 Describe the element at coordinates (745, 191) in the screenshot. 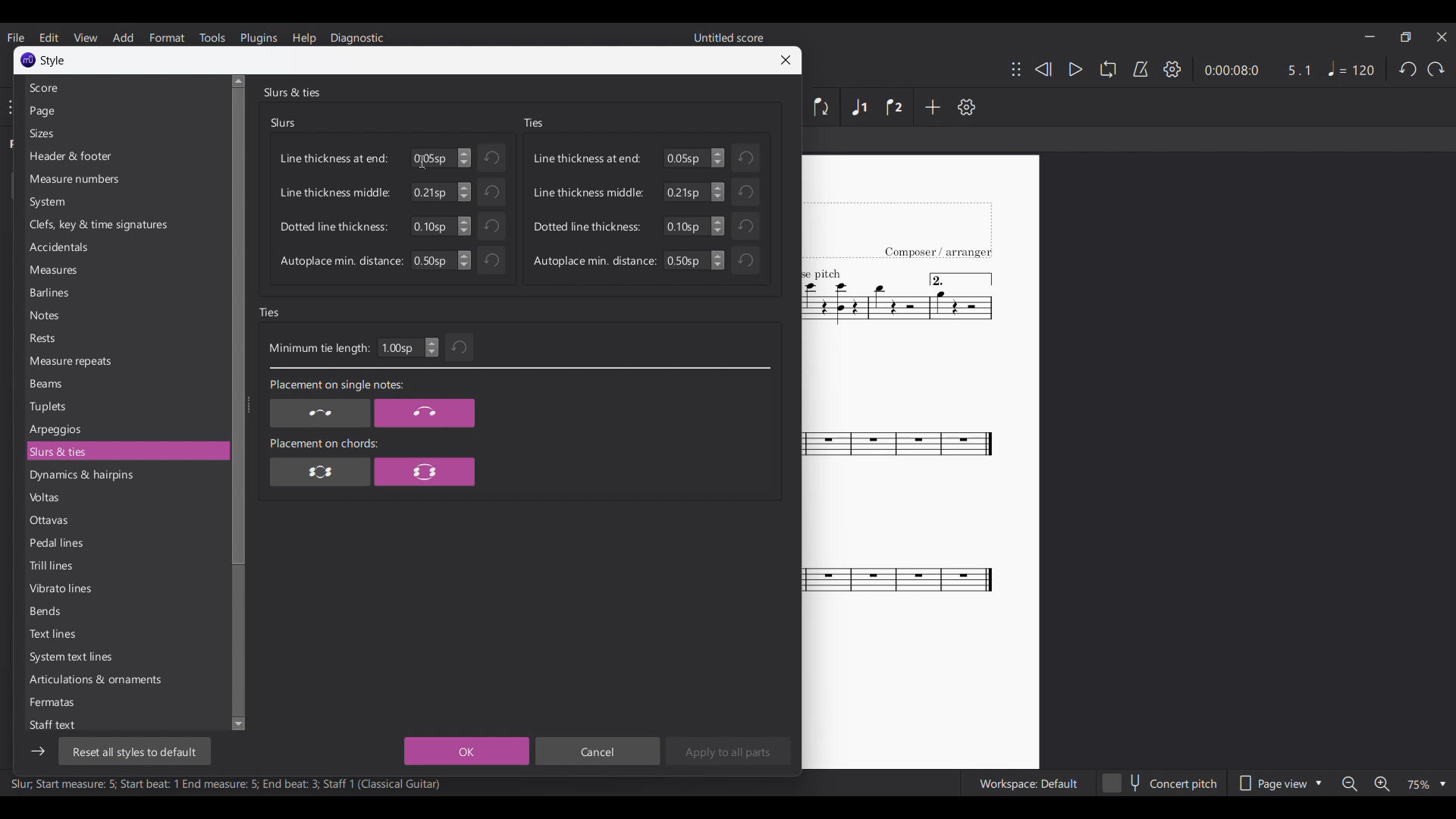

I see `Undo` at that location.